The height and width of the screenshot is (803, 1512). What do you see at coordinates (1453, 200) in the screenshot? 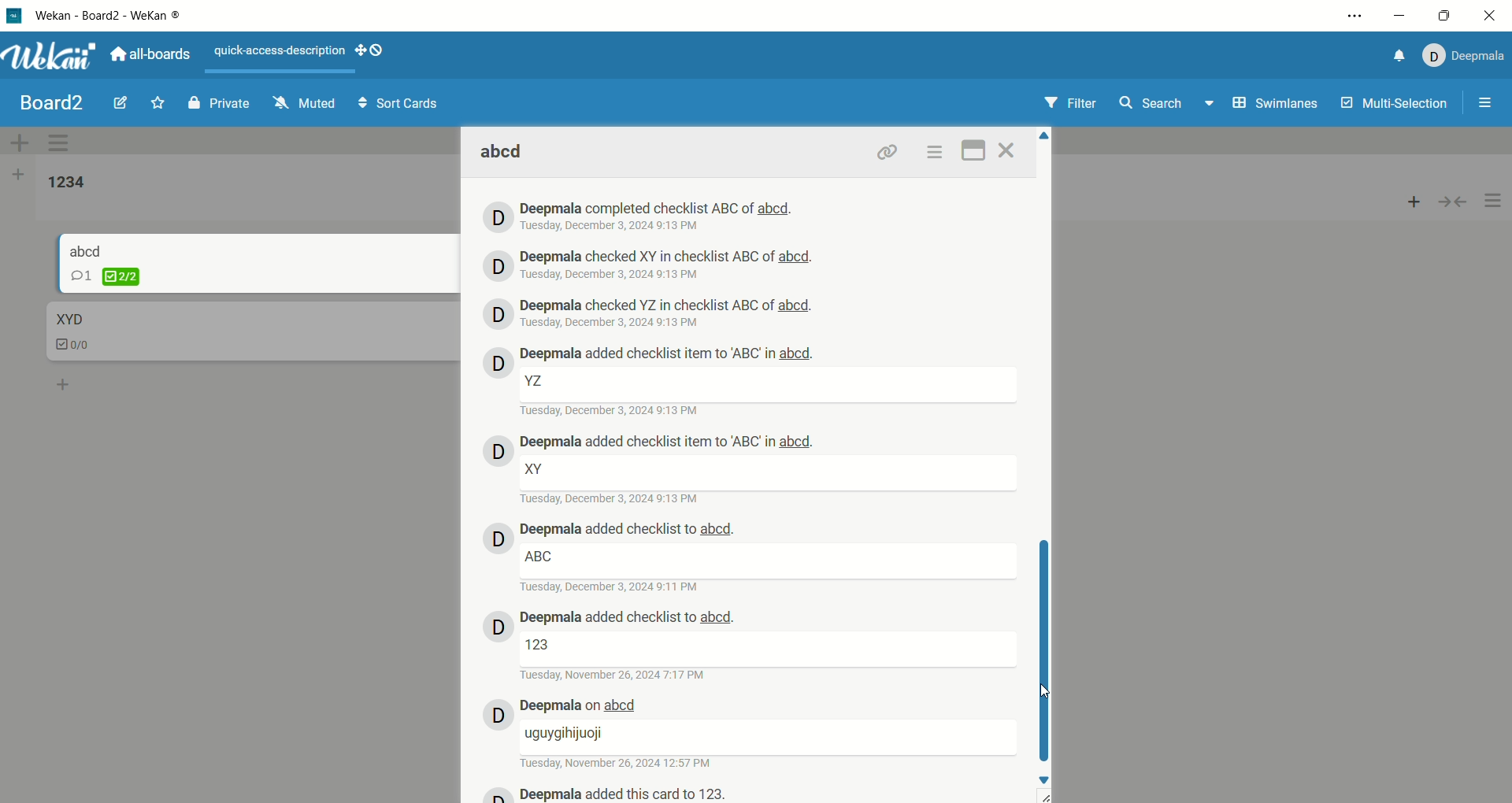
I see `collapse` at bounding box center [1453, 200].